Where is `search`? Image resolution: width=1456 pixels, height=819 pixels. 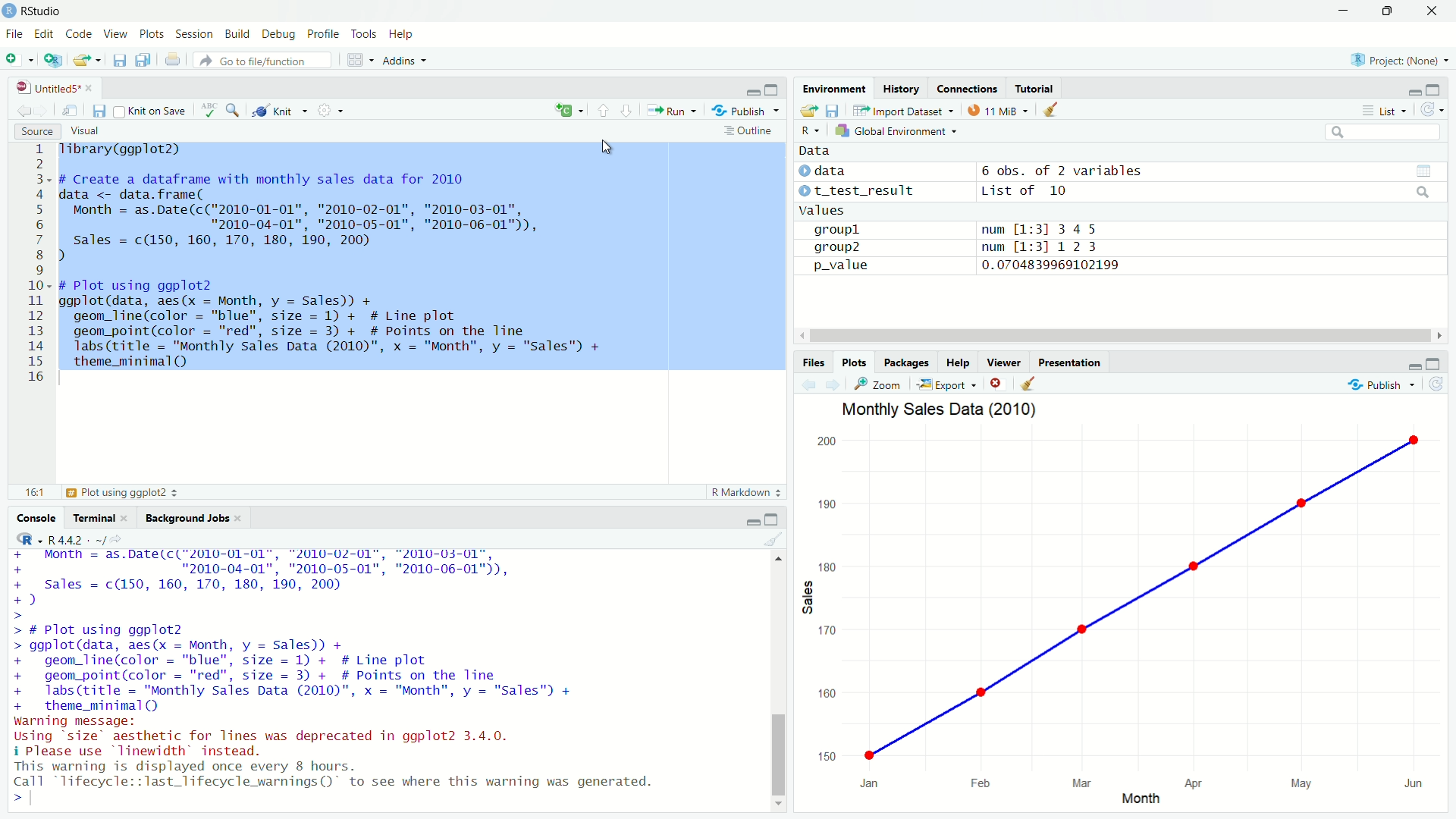 search is located at coordinates (1424, 190).